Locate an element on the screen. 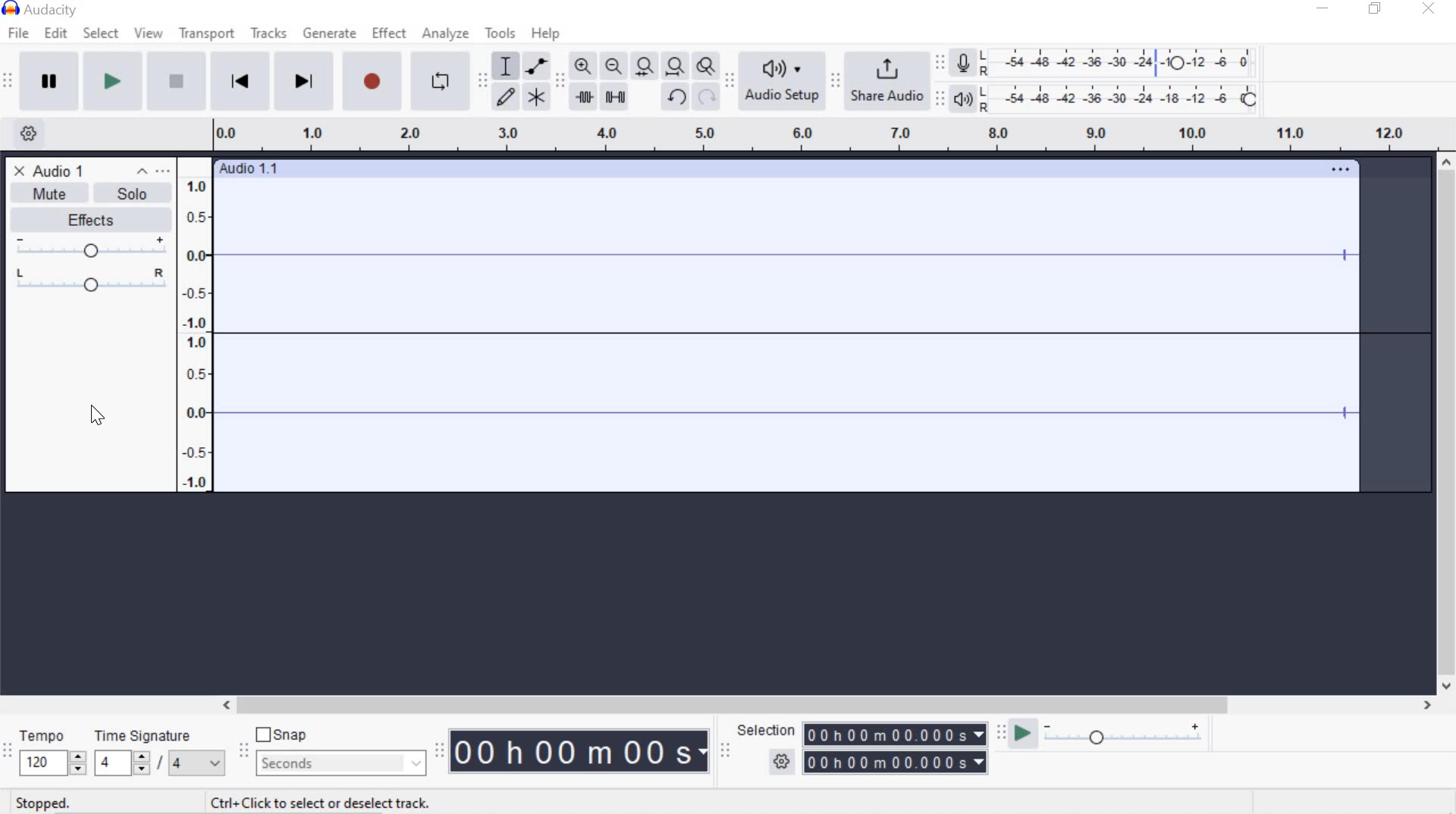 This screenshot has width=1456, height=814. select is located at coordinates (101, 33).